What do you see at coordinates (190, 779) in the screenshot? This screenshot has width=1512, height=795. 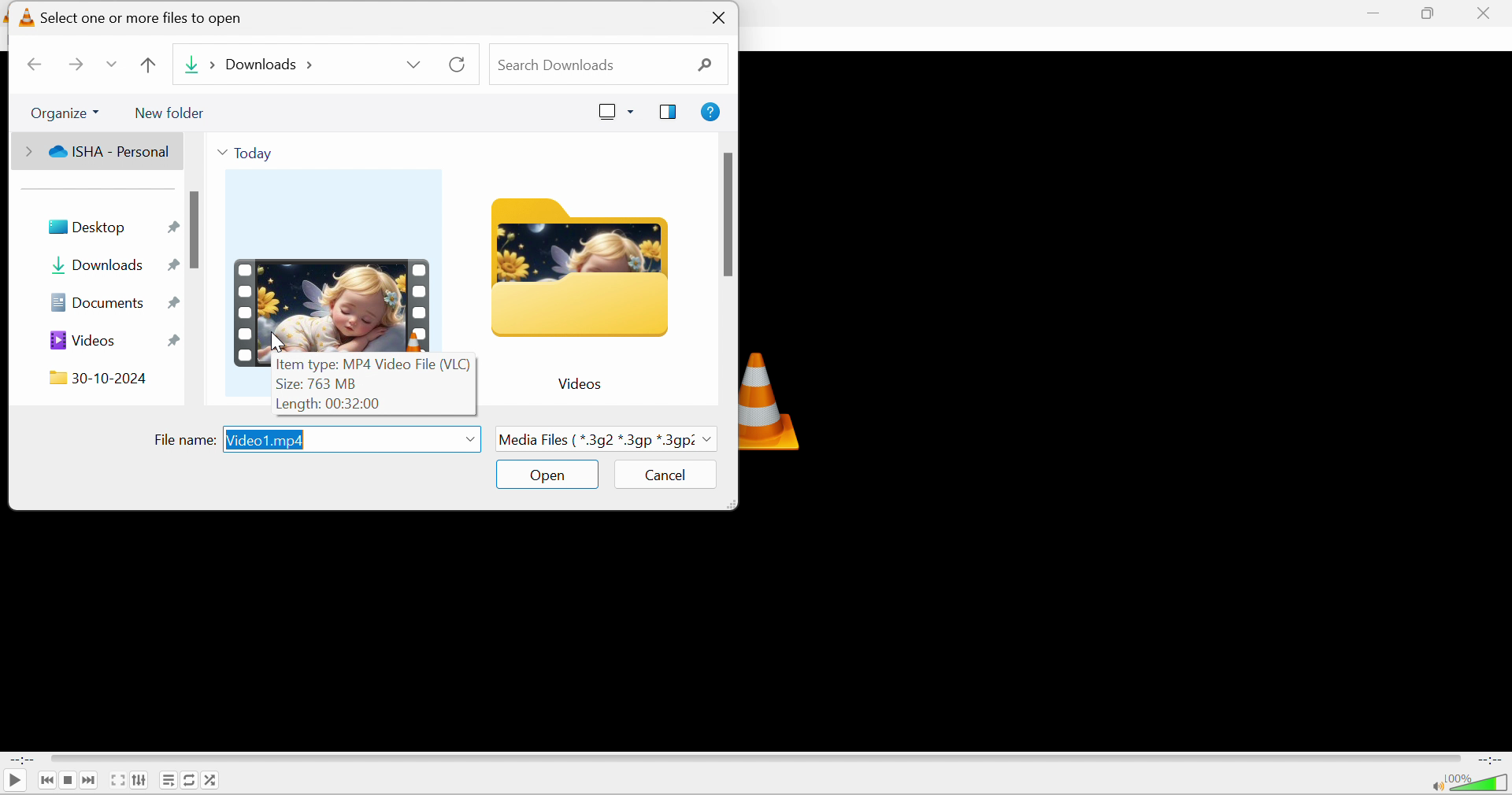 I see `Click to toggle between loop all, loop one and no loop` at bounding box center [190, 779].